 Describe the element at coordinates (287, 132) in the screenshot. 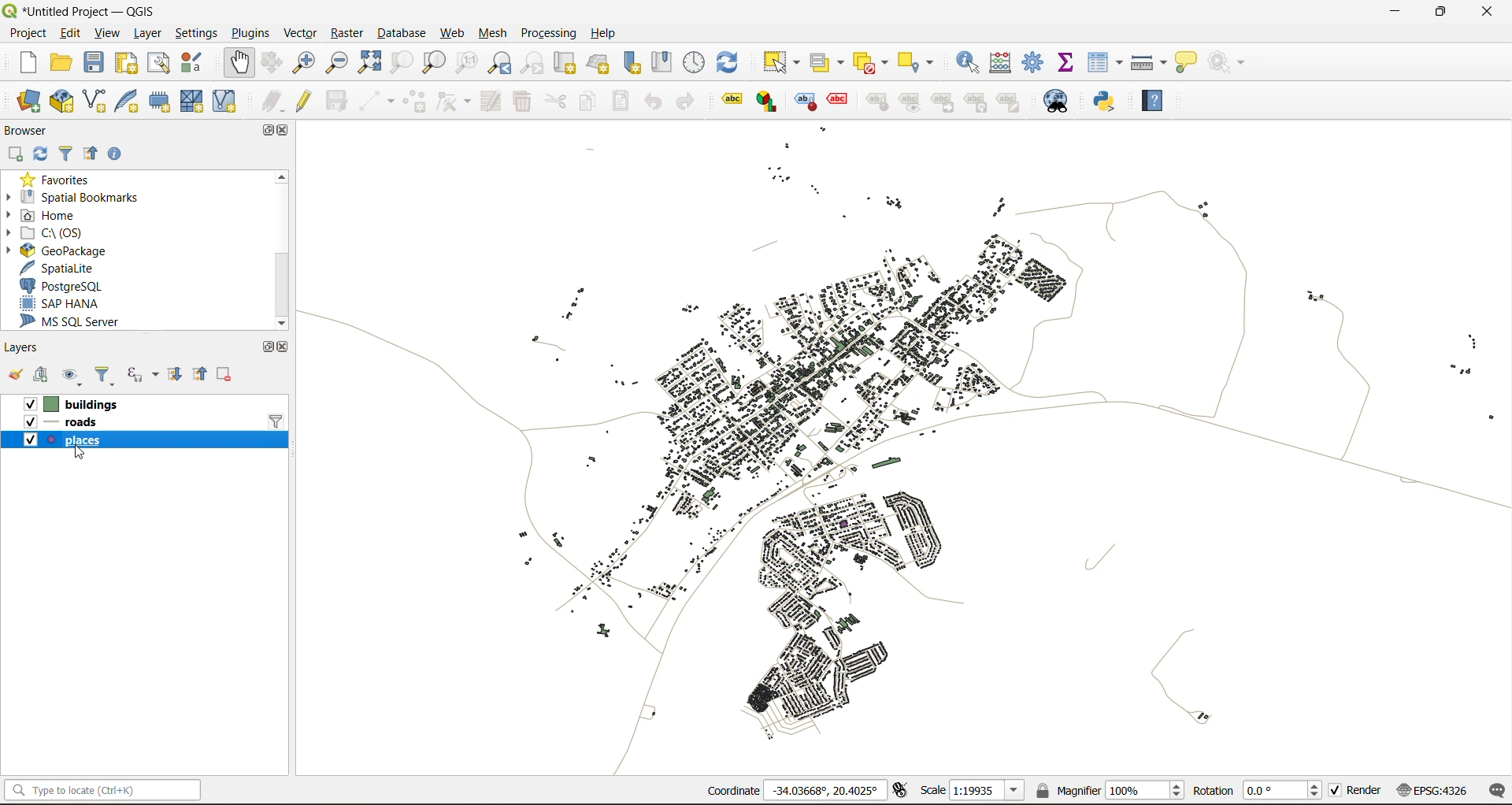

I see `close` at that location.